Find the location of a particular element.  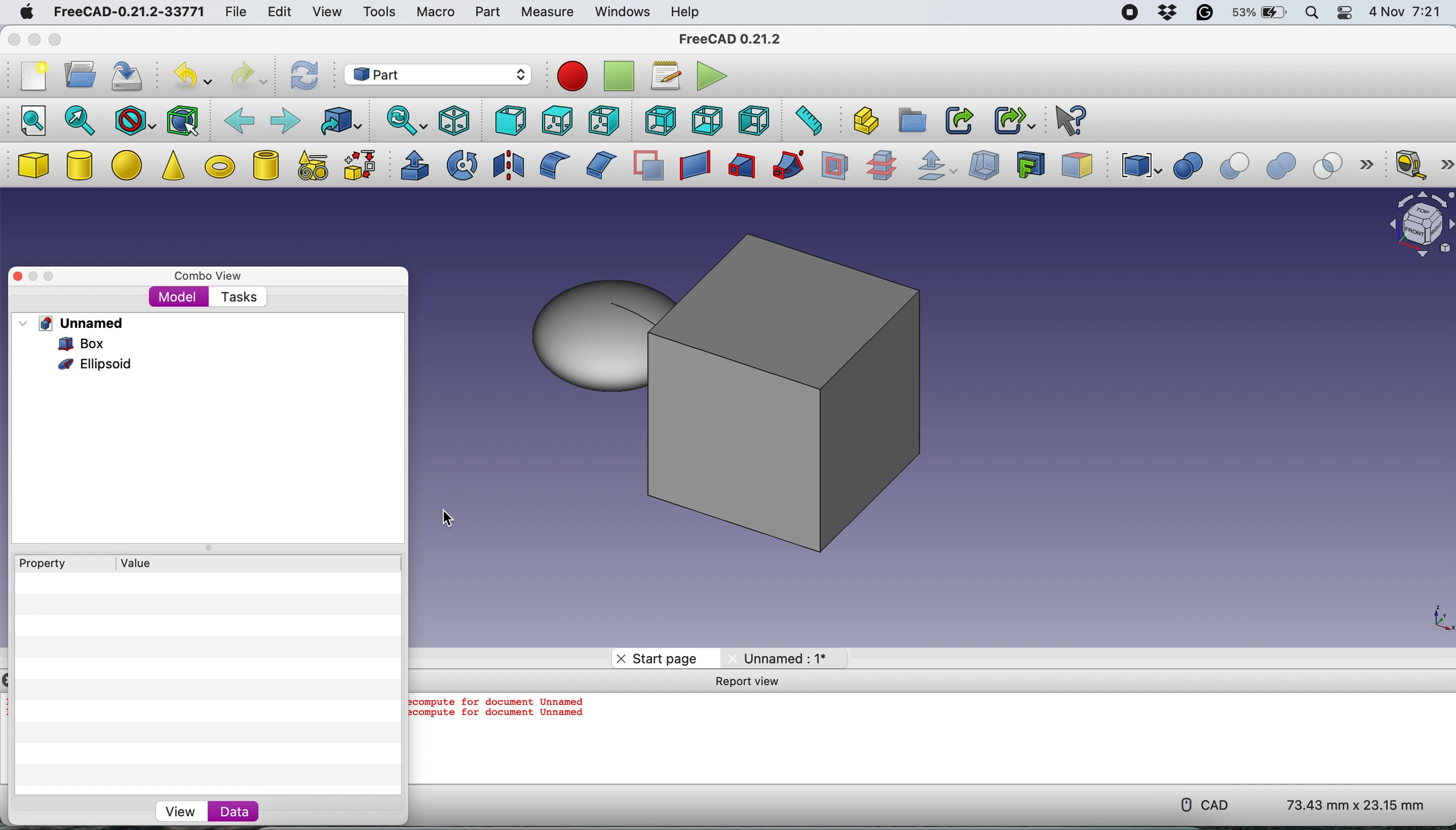

cursor is located at coordinates (451, 522).